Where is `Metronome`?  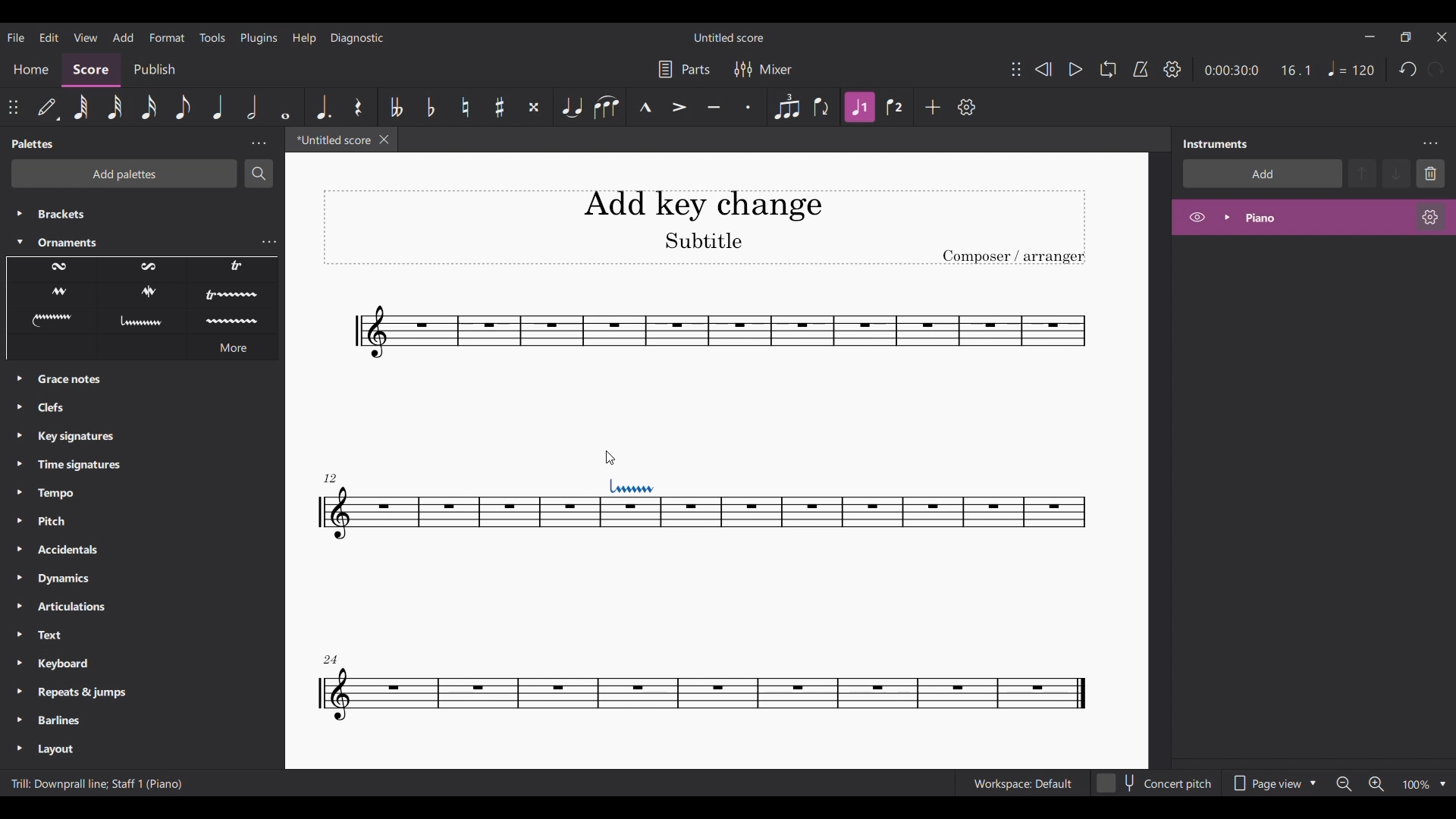 Metronome is located at coordinates (1141, 69).